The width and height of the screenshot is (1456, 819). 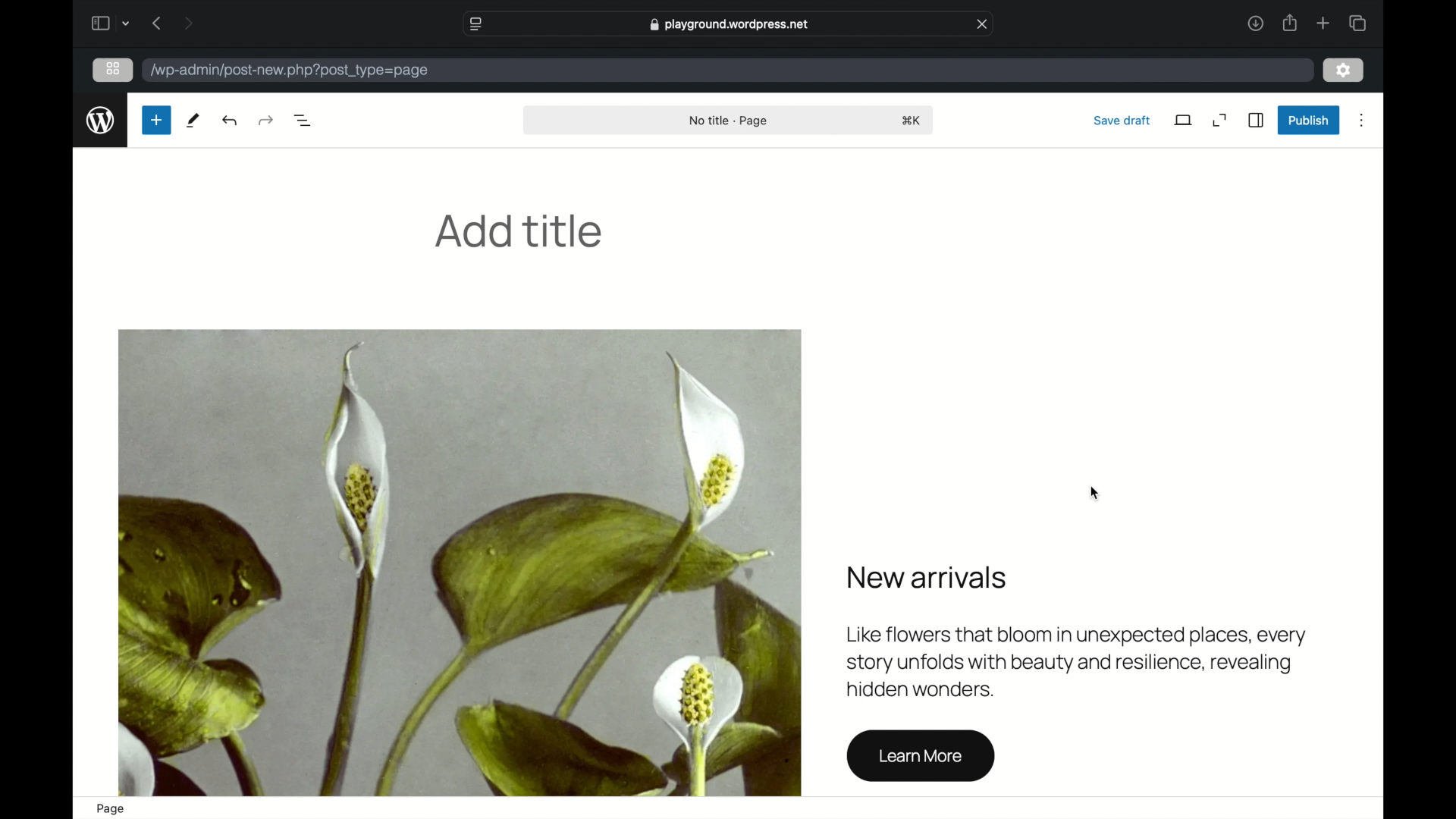 What do you see at coordinates (194, 121) in the screenshot?
I see `tools` at bounding box center [194, 121].